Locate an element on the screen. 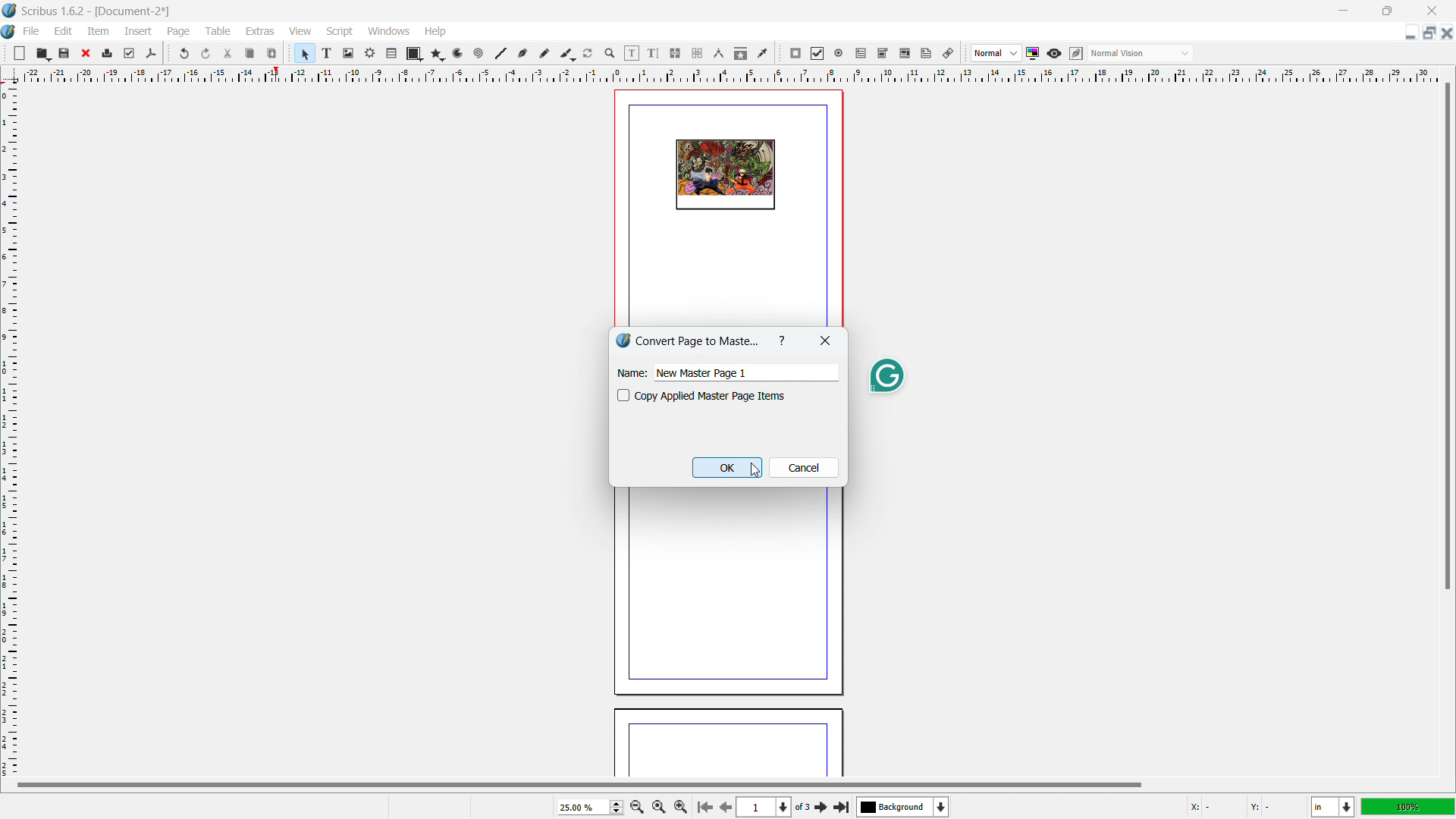 Image resolution: width=1456 pixels, height=819 pixels. pdf radio button is located at coordinates (839, 52).